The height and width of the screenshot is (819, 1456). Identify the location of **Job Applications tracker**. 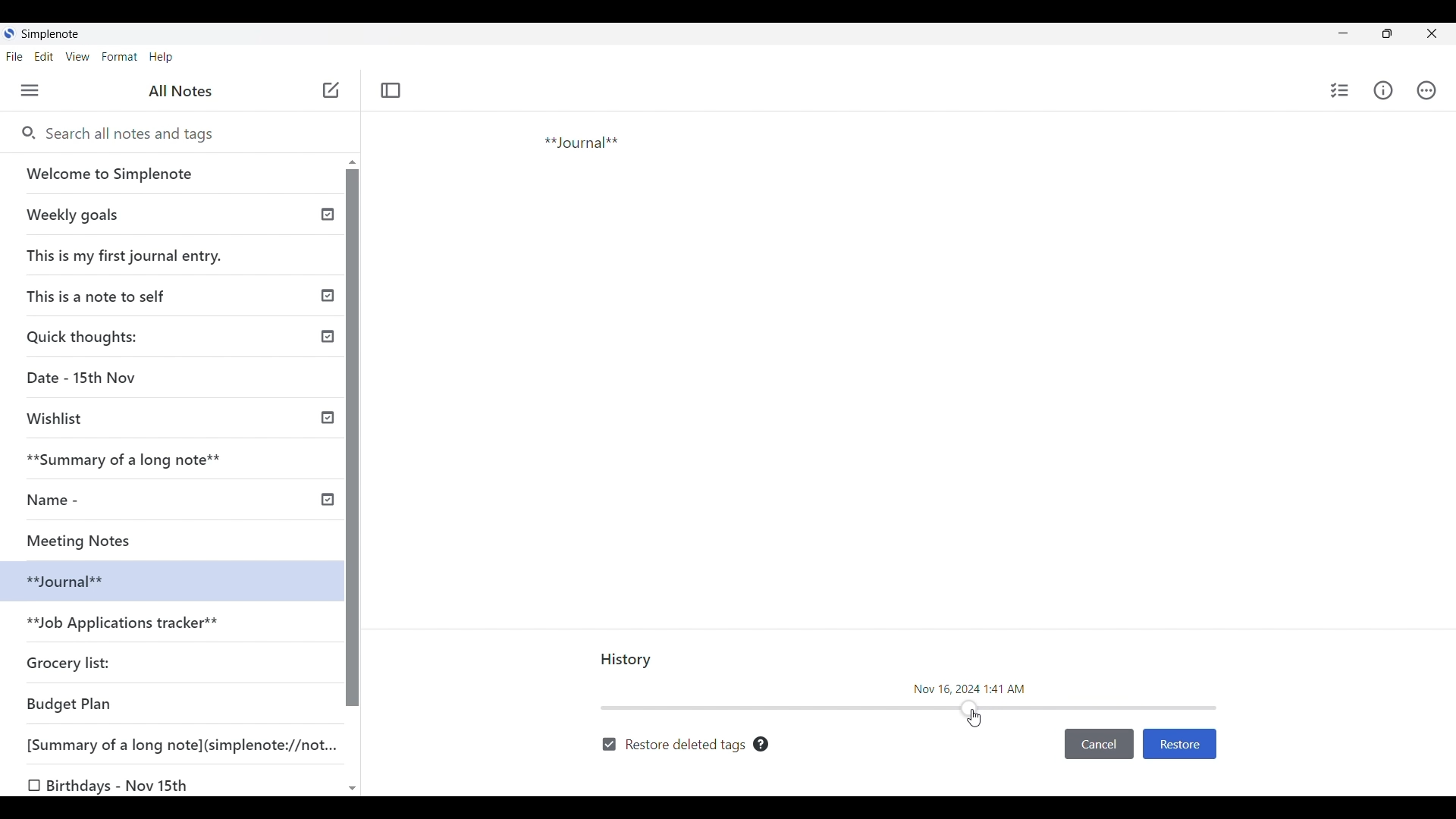
(126, 624).